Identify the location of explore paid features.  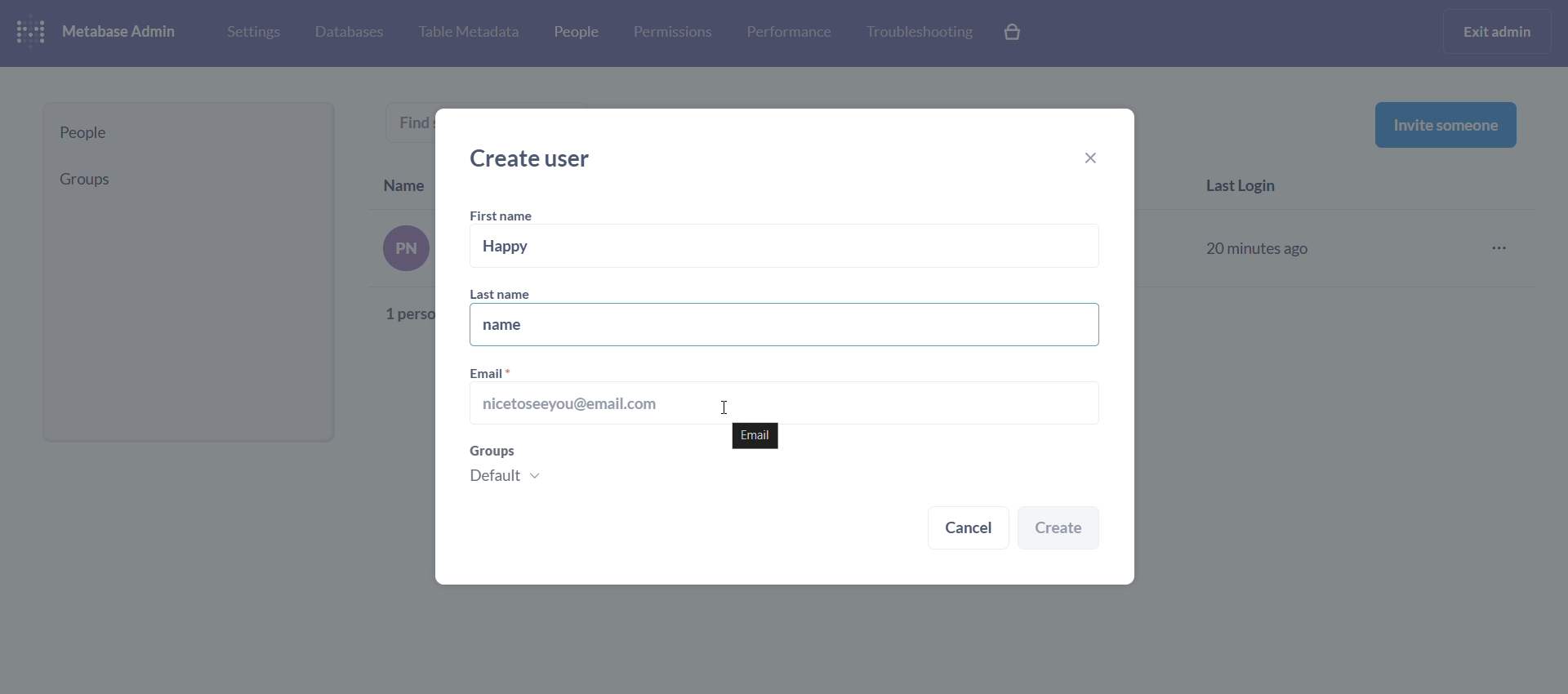
(1014, 33).